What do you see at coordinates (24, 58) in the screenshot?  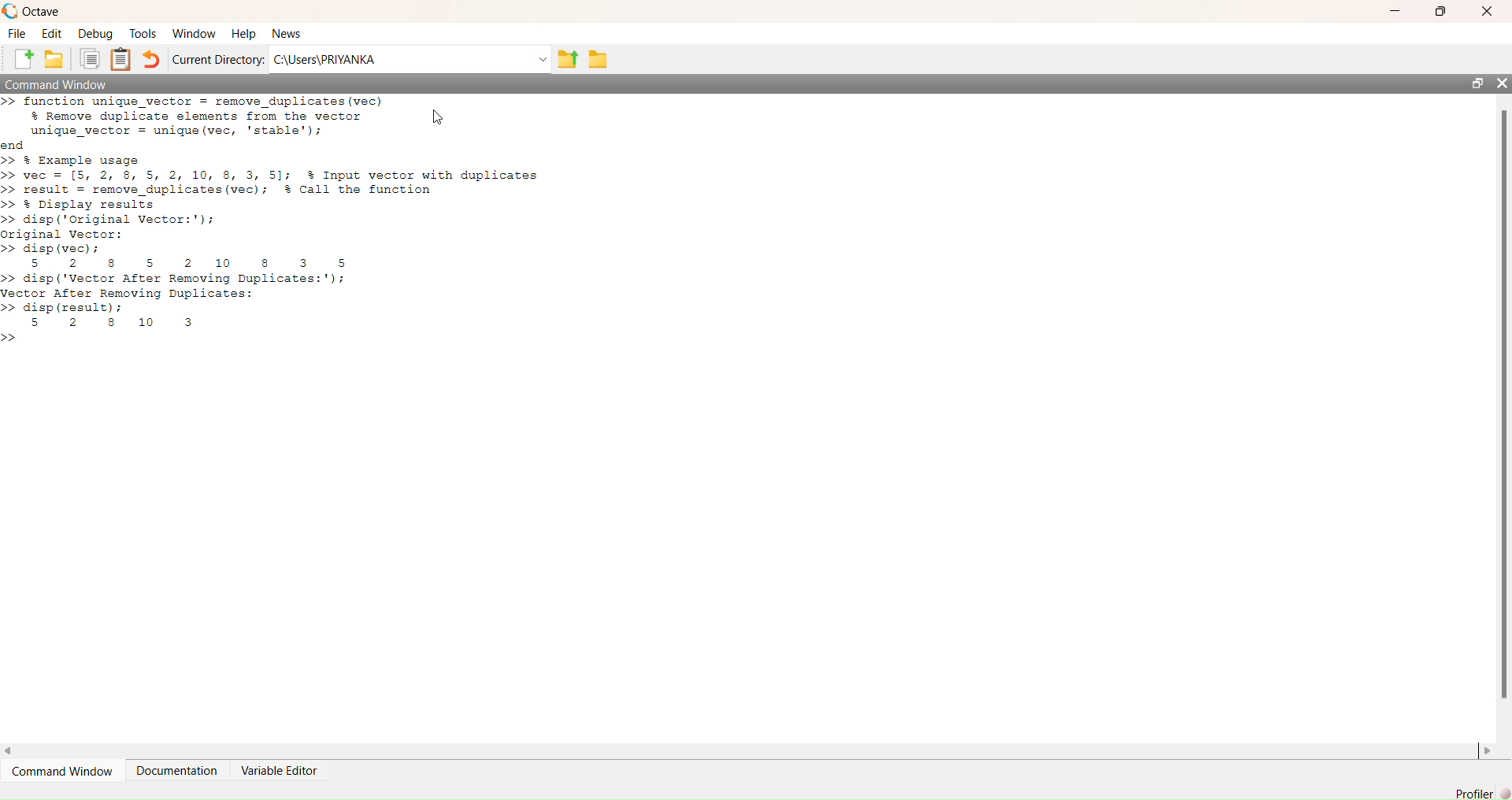 I see `add file` at bounding box center [24, 58].